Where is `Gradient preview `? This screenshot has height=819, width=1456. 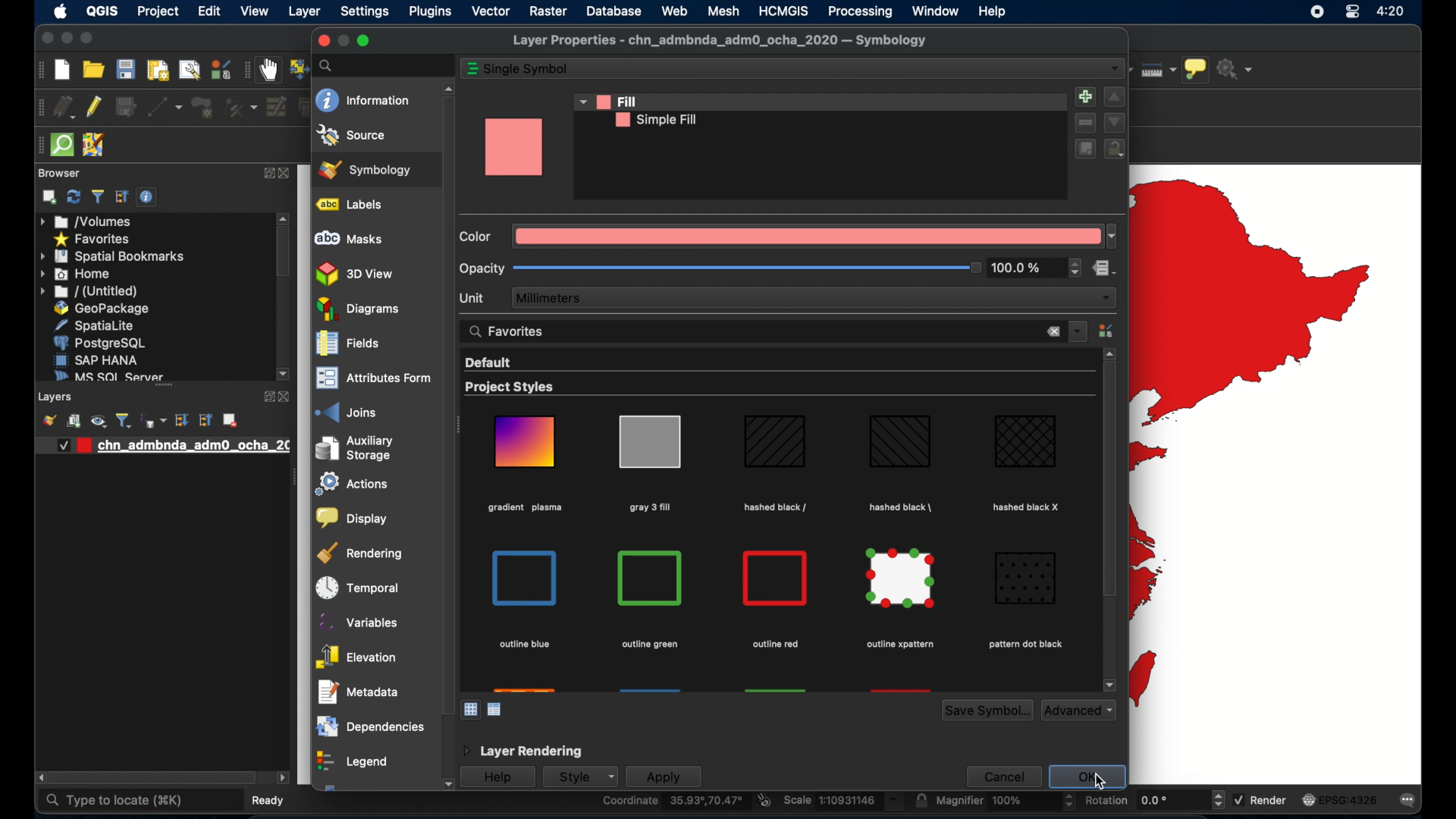 Gradient preview  is located at coordinates (1027, 578).